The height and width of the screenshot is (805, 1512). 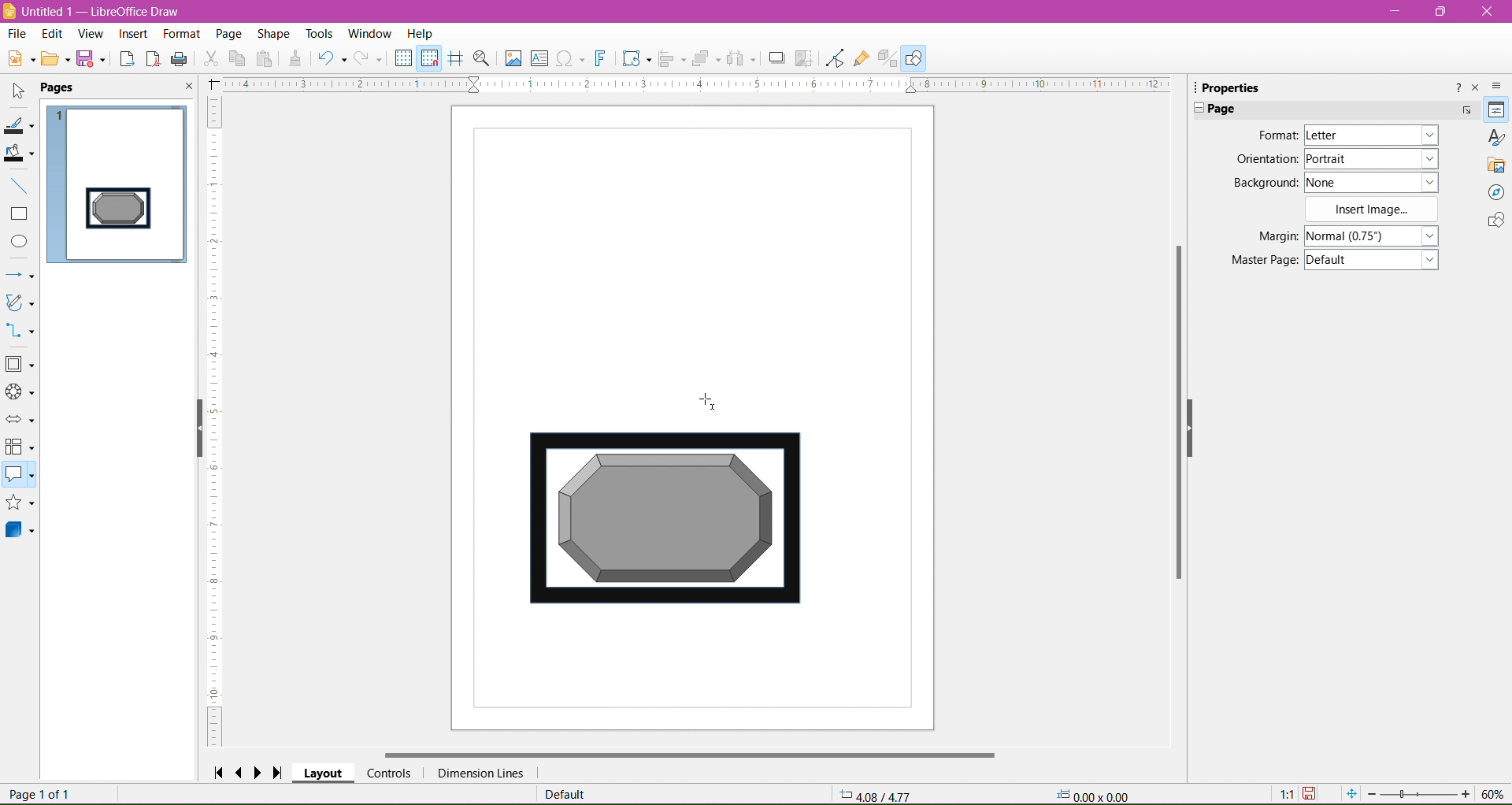 What do you see at coordinates (217, 422) in the screenshot?
I see `Ruler` at bounding box center [217, 422].